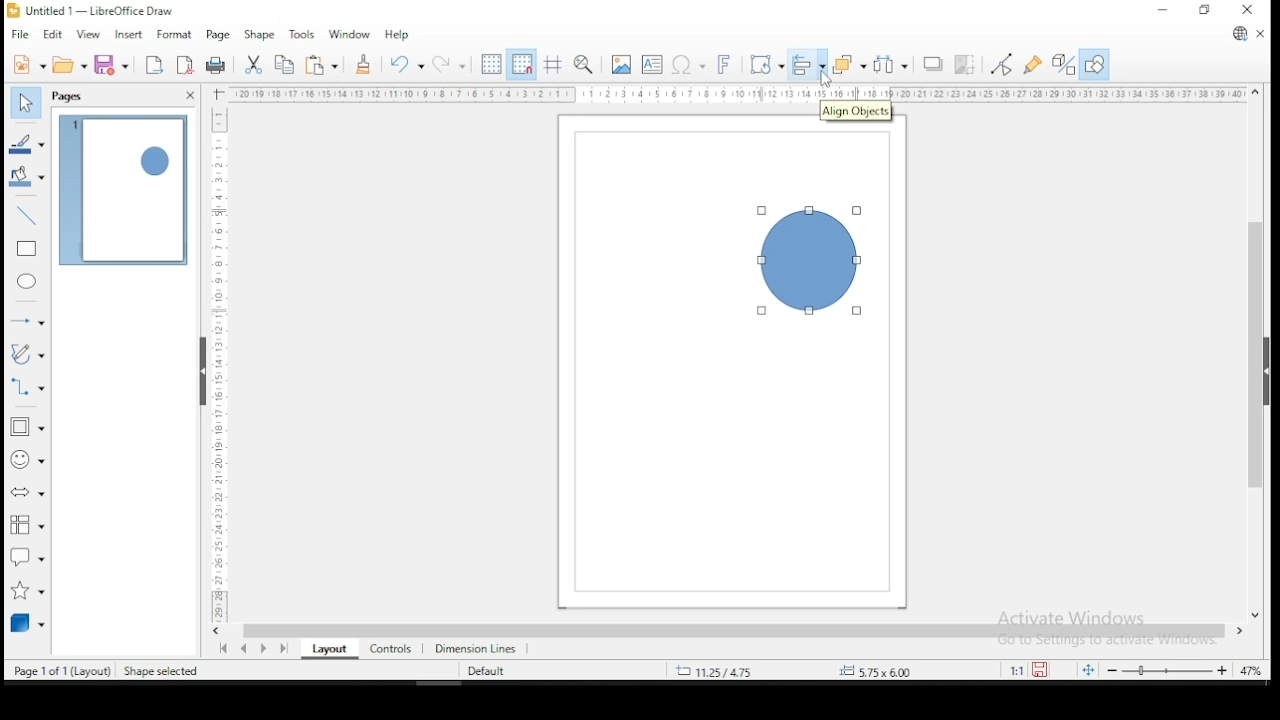 The height and width of the screenshot is (720, 1280). Describe the element at coordinates (215, 355) in the screenshot. I see `vertical scale` at that location.